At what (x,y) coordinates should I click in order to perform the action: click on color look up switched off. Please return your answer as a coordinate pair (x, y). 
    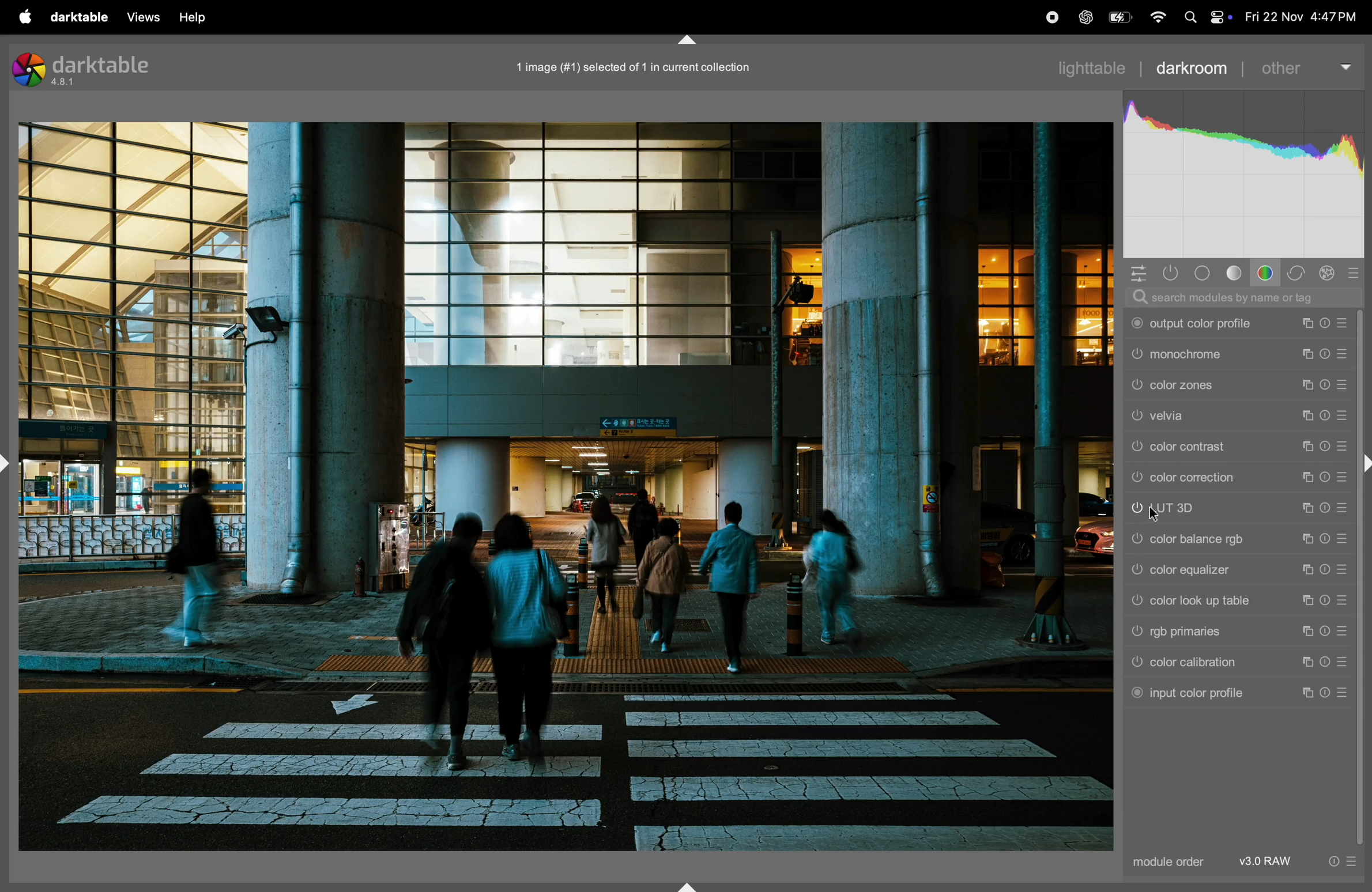
    Looking at the image, I should click on (1136, 602).